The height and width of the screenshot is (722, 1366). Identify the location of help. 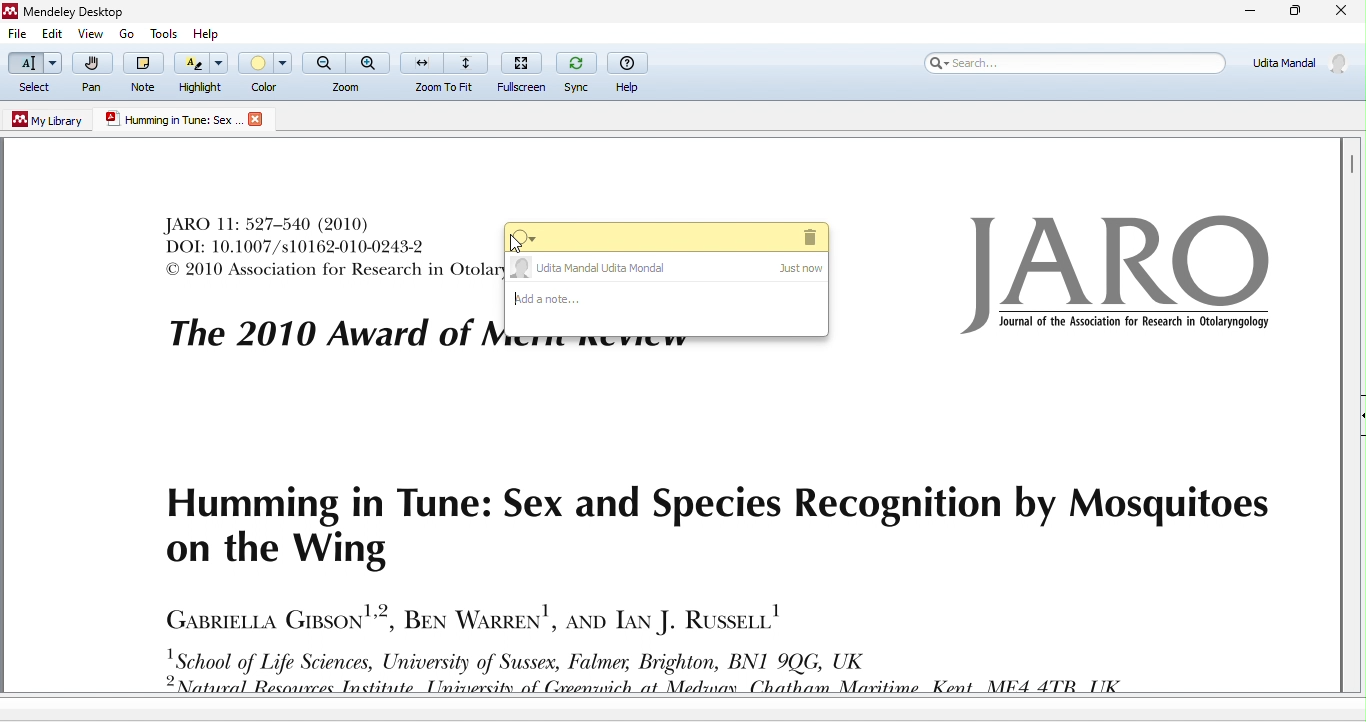
(632, 73).